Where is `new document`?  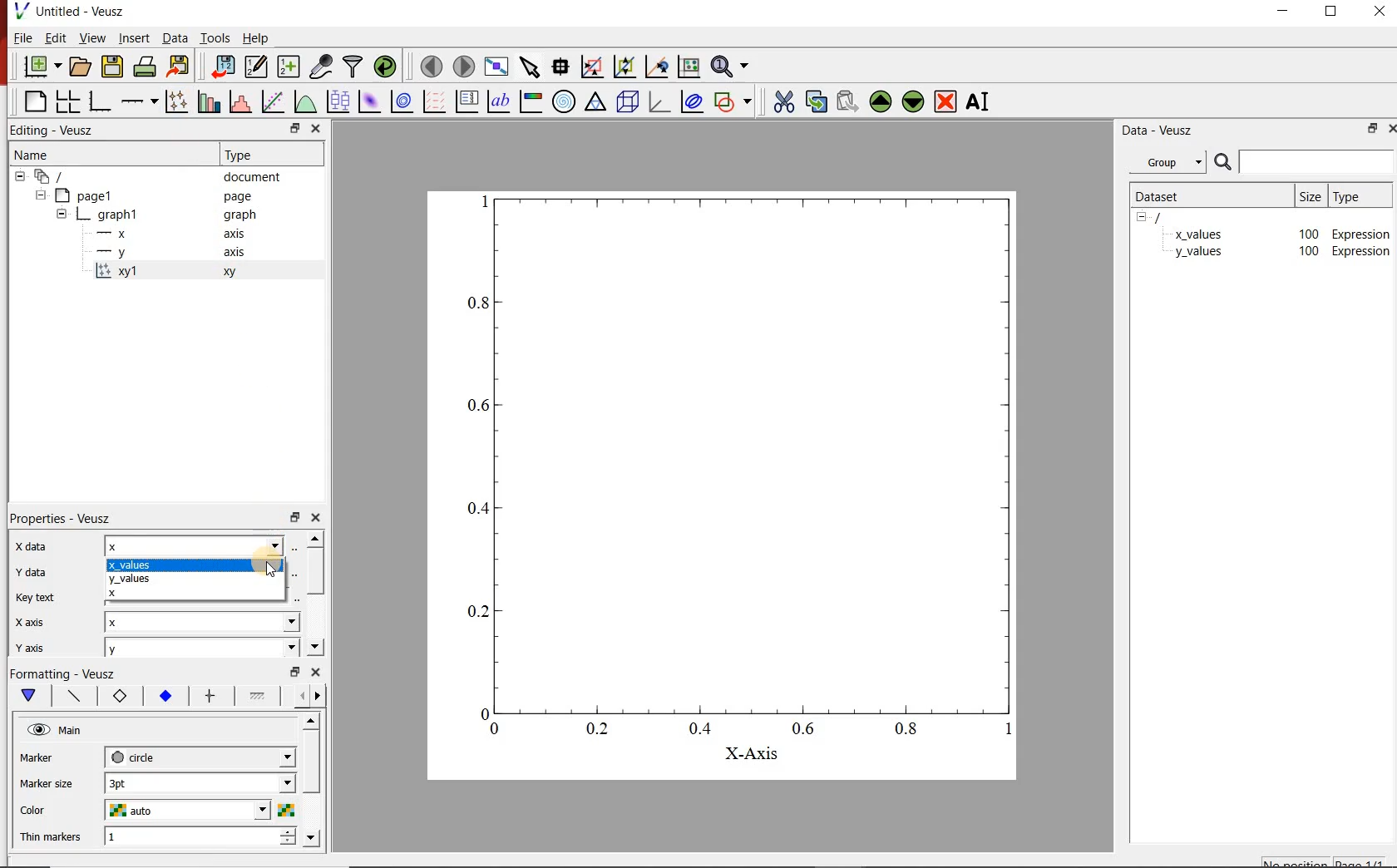 new document is located at coordinates (42, 65).